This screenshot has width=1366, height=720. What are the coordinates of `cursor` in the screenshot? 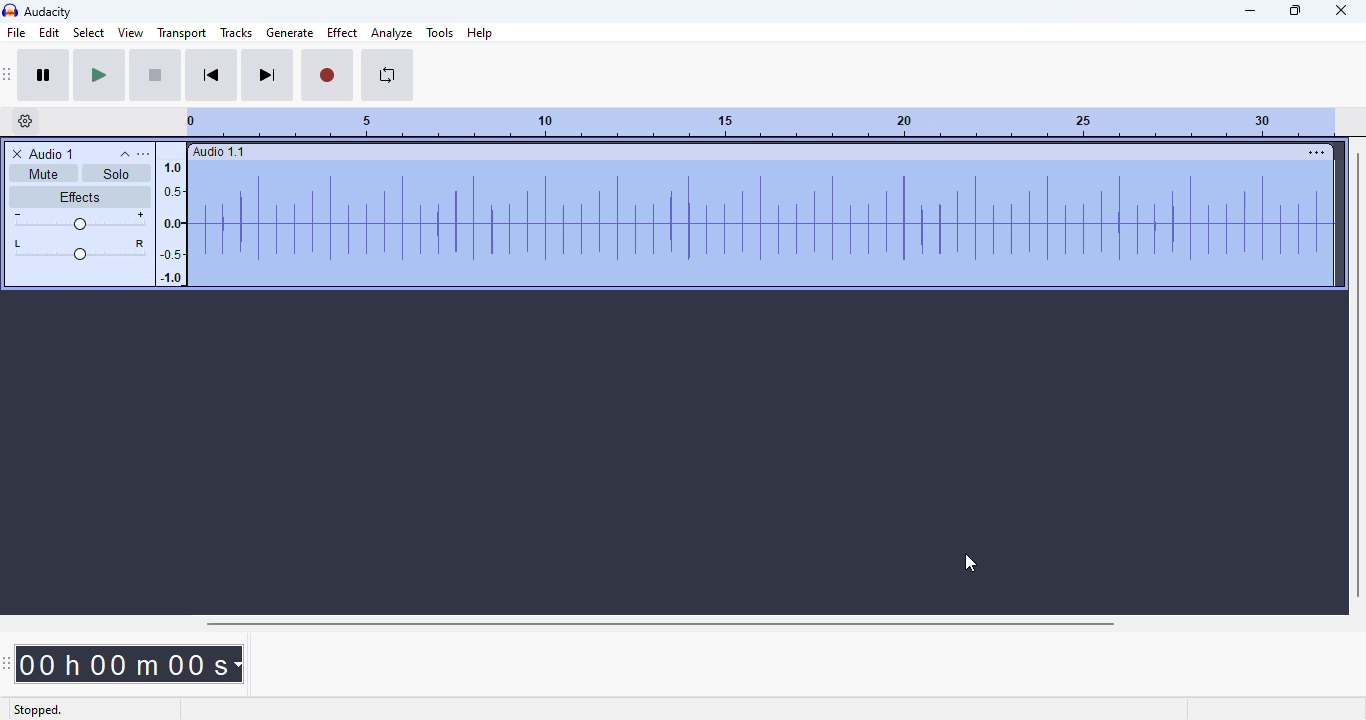 It's located at (971, 563).